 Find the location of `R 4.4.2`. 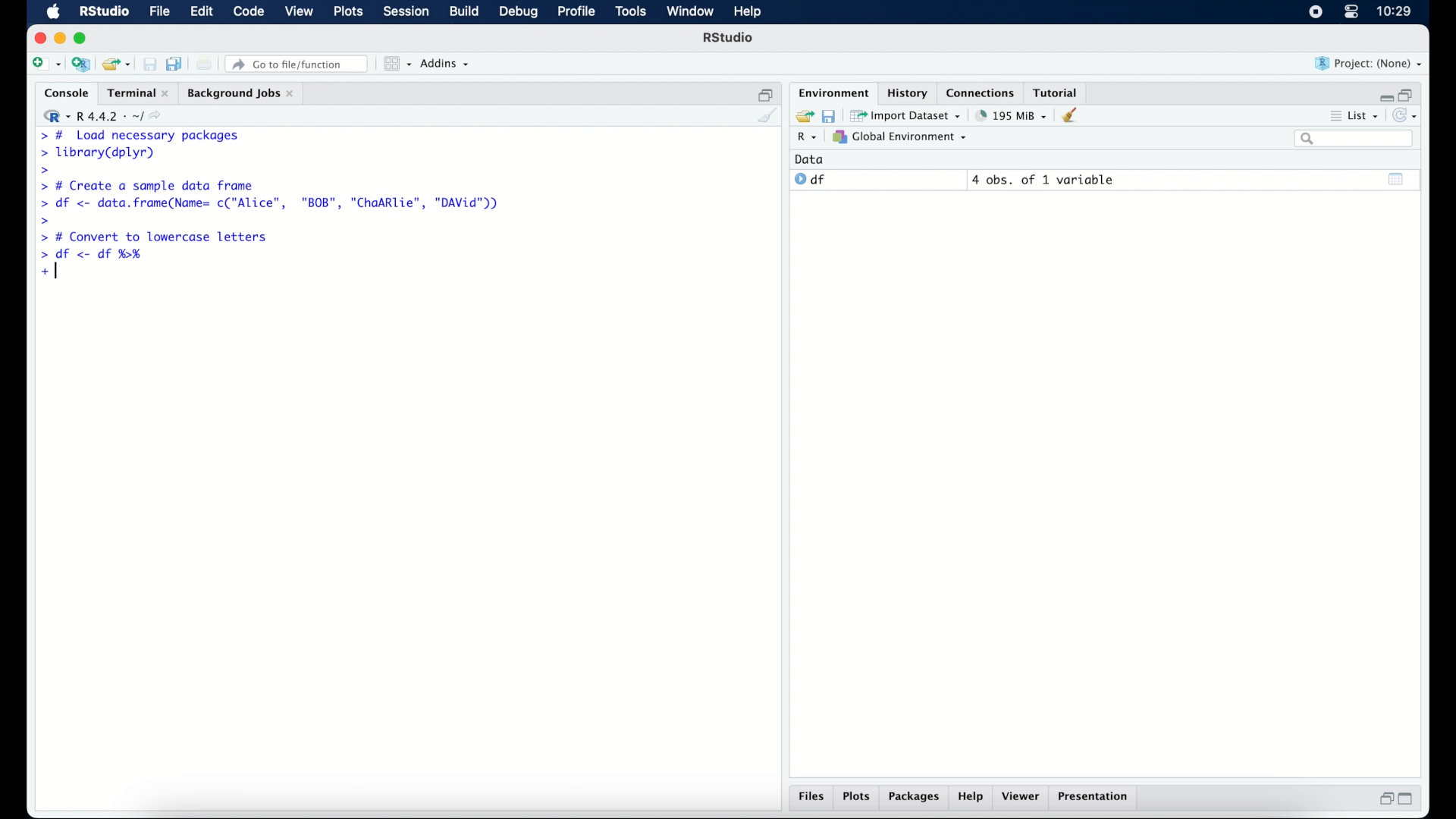

R 4.4.2 is located at coordinates (106, 117).